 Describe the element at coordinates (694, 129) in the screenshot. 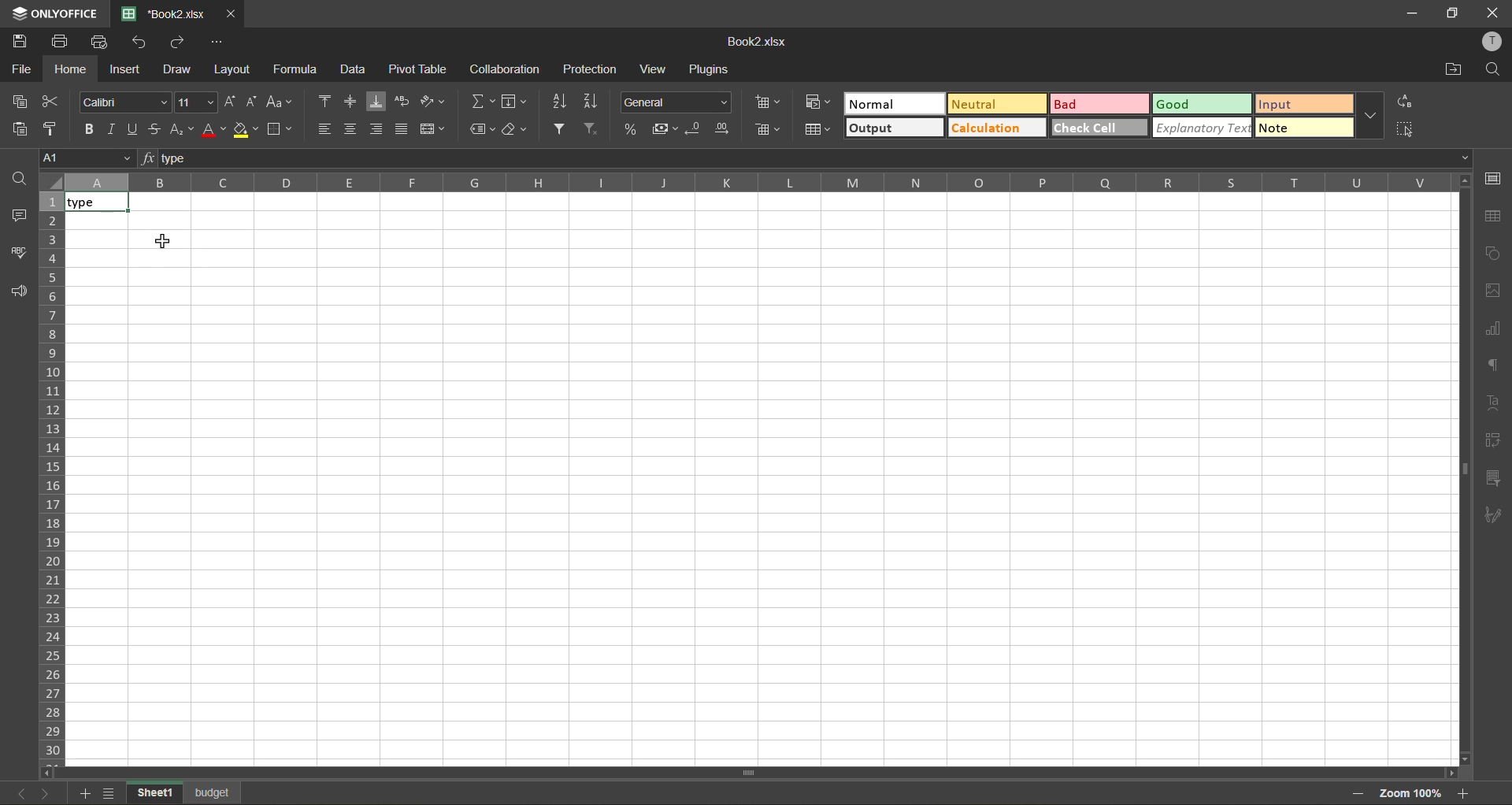

I see `decrease decimal` at that location.